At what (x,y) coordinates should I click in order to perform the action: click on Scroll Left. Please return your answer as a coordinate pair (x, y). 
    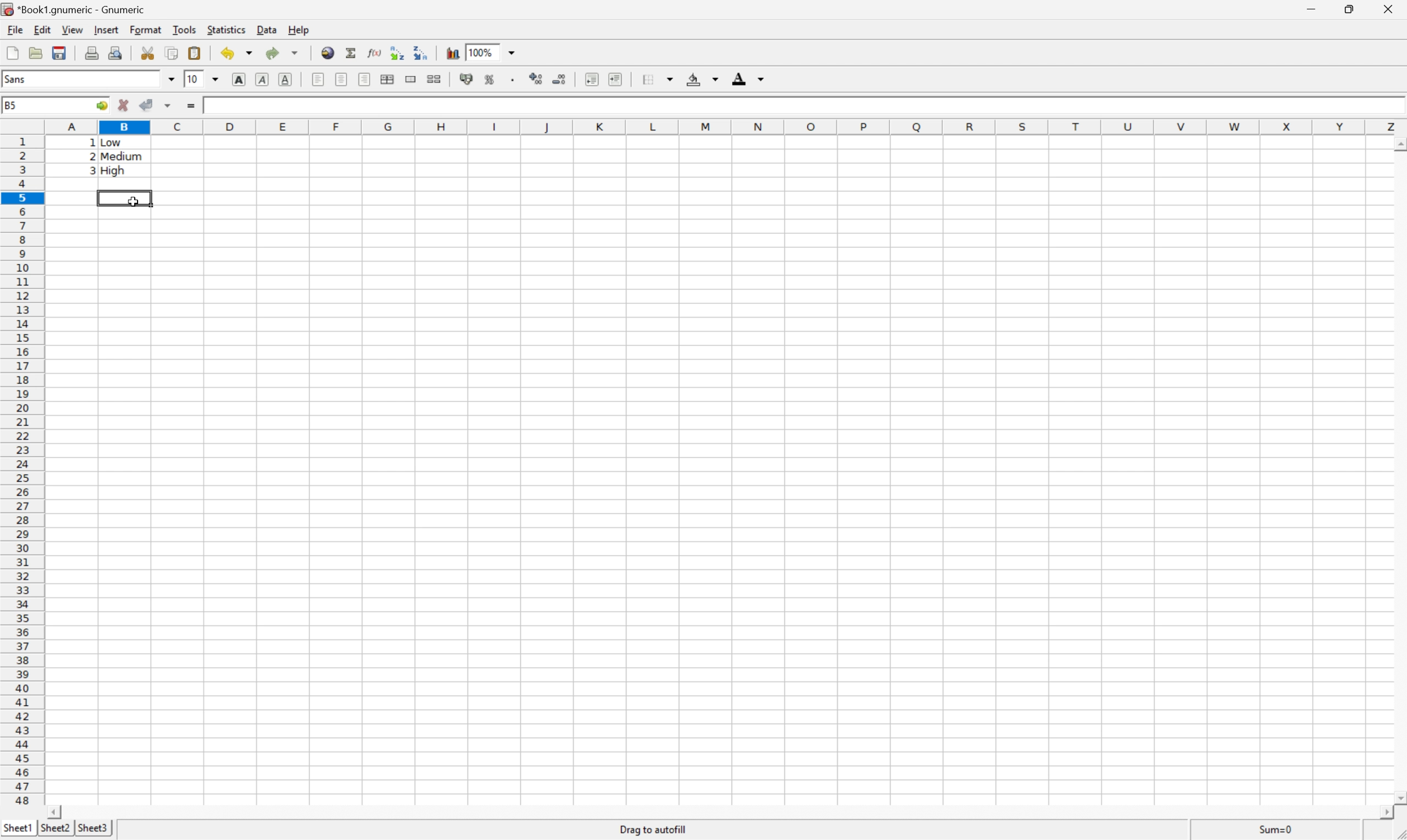
    Looking at the image, I should click on (57, 811).